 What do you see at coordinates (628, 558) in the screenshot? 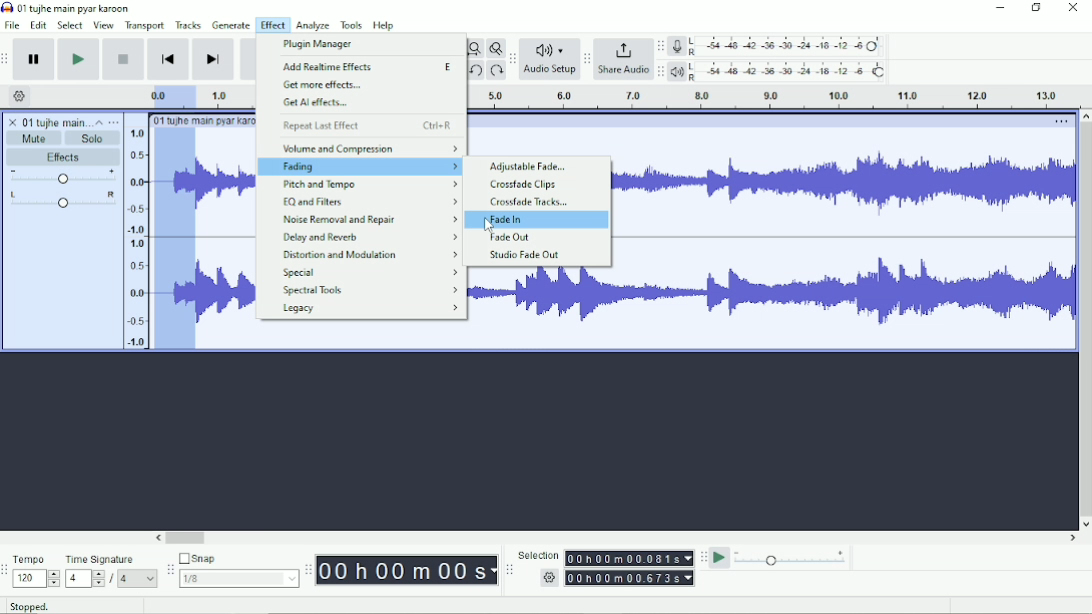
I see `00 h 00 m 00.081s` at bounding box center [628, 558].